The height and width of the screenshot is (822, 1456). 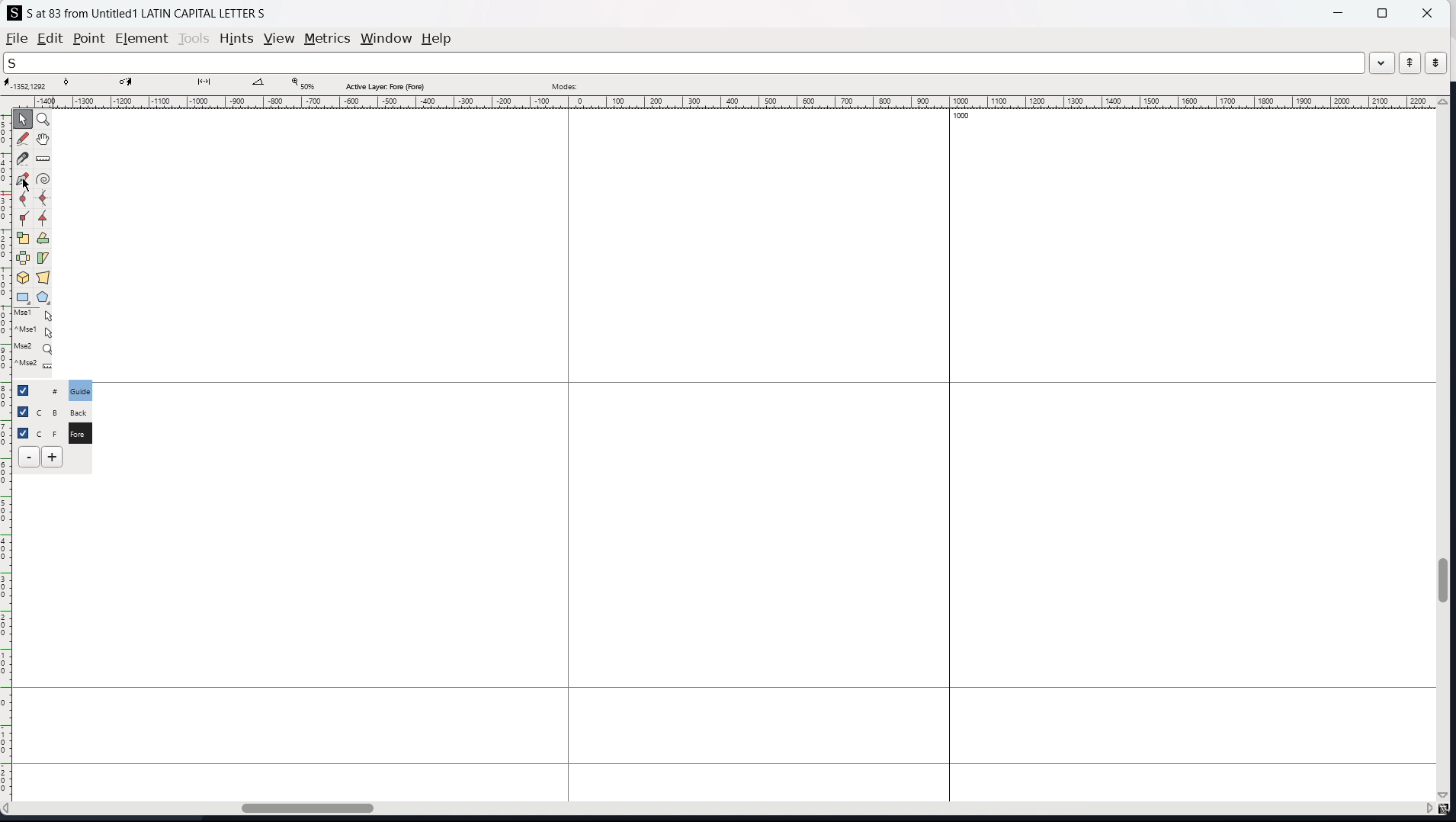 I want to click on add a point then drag out its control points, so click(x=24, y=178).